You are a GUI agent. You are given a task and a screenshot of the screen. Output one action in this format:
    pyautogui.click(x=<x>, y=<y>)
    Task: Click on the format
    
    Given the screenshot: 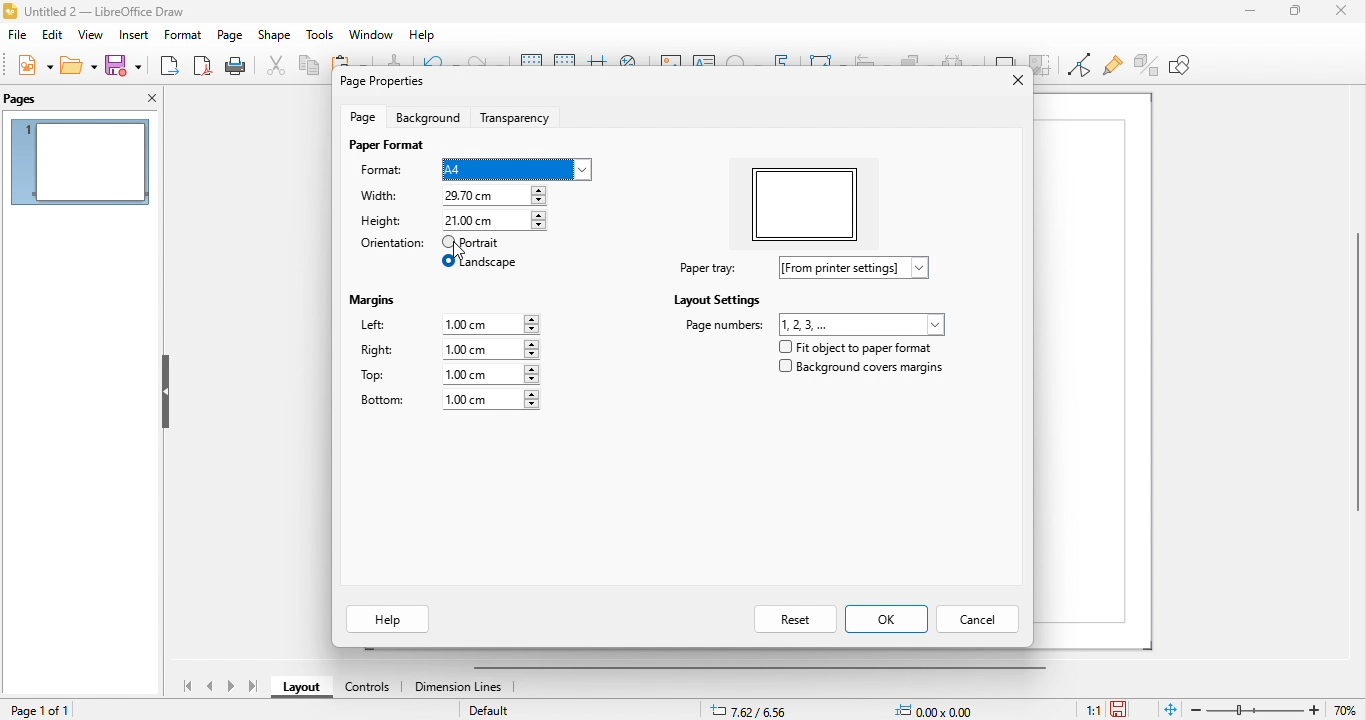 What is the action you would take?
    pyautogui.click(x=183, y=35)
    